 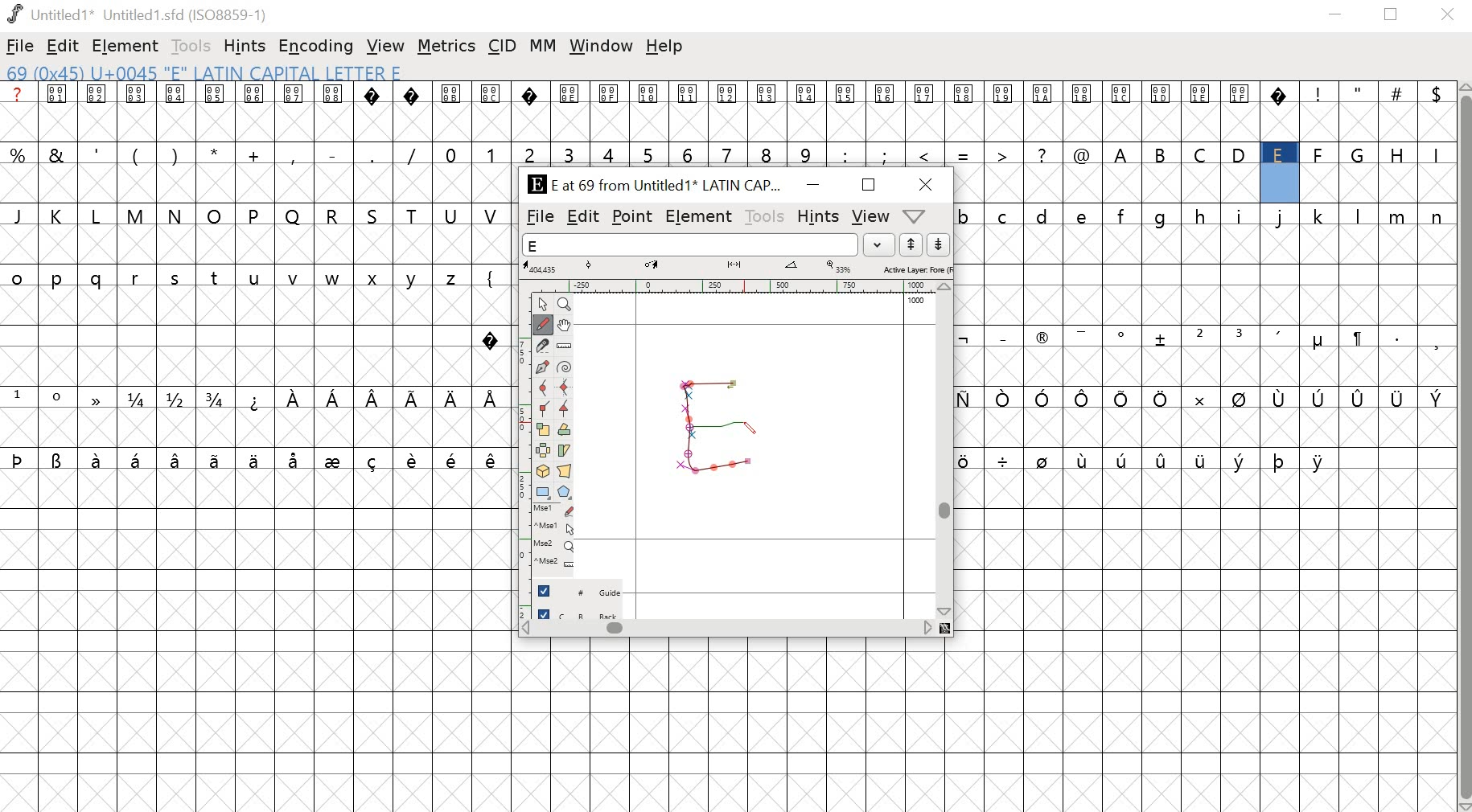 What do you see at coordinates (948, 450) in the screenshot?
I see `scrollbar` at bounding box center [948, 450].